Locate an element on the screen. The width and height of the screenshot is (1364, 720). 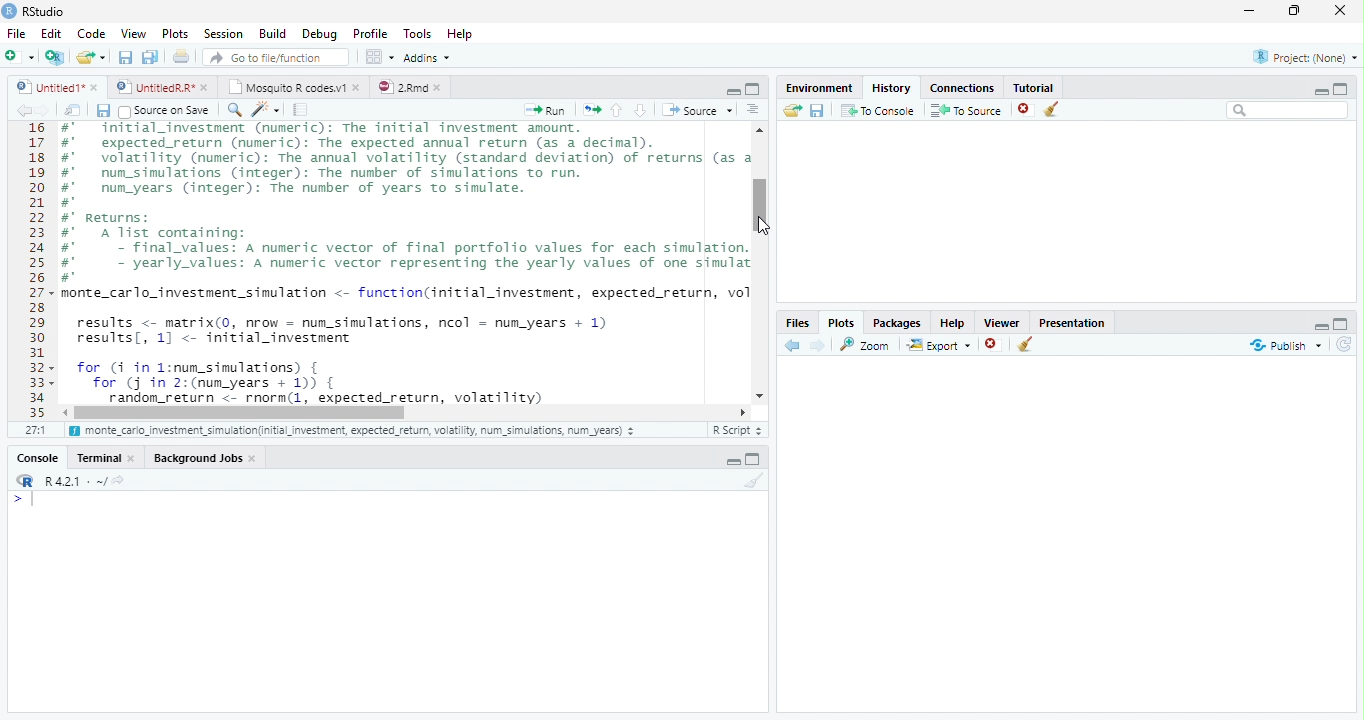
Minimize is located at coordinates (1253, 12).